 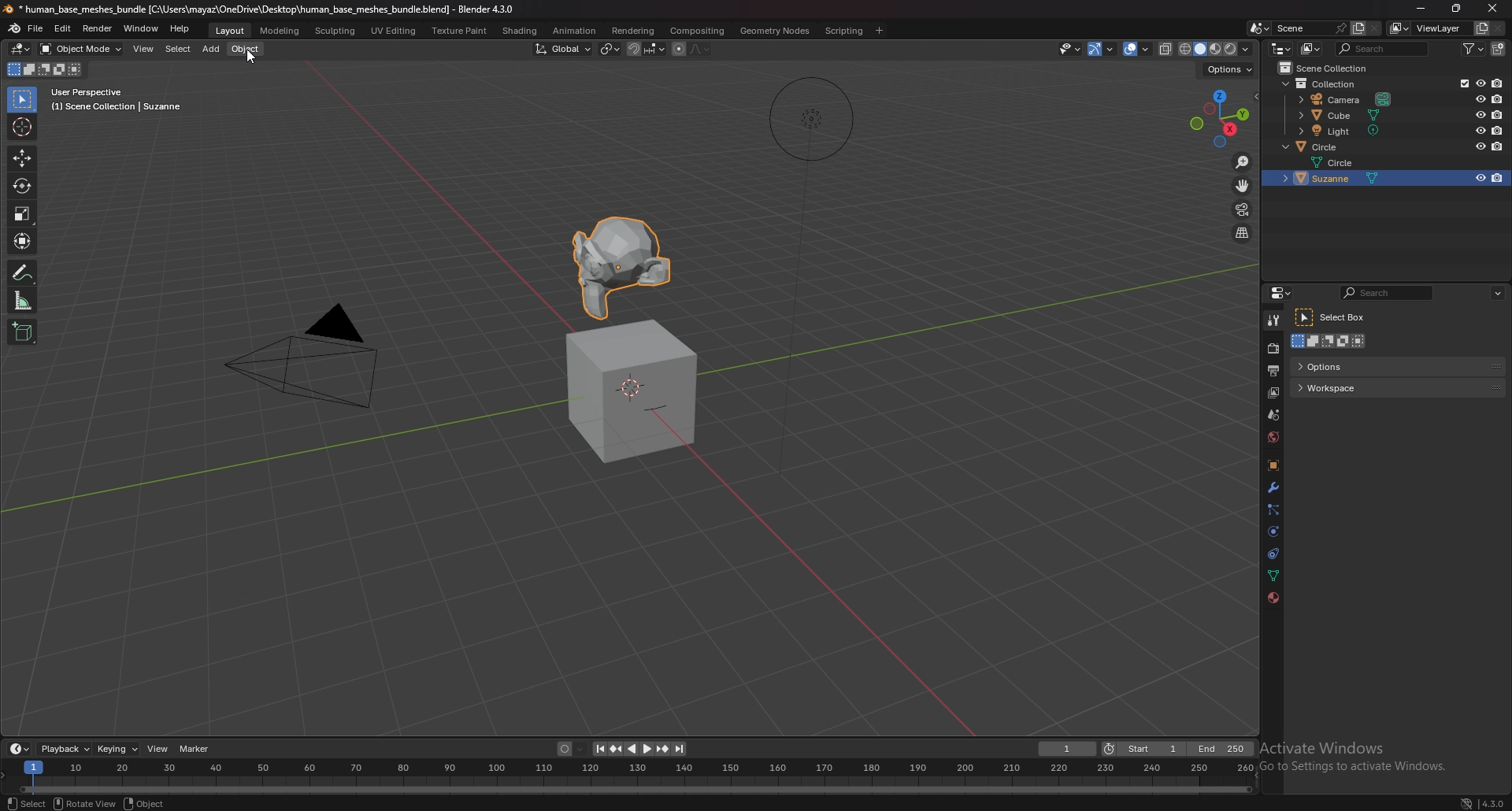 I want to click on cube, so click(x=634, y=391).